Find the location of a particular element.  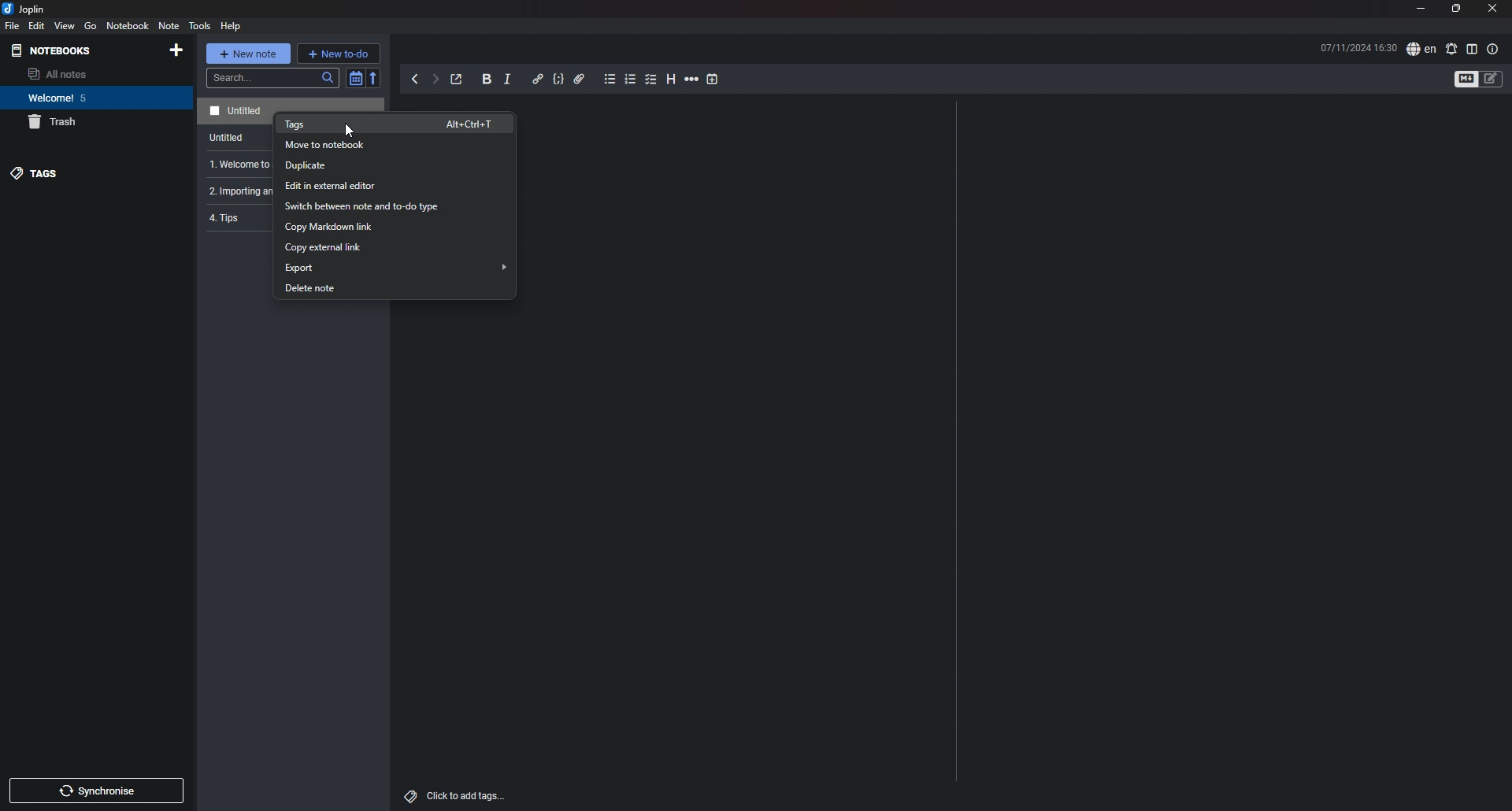

move to notebook is located at coordinates (389, 145).